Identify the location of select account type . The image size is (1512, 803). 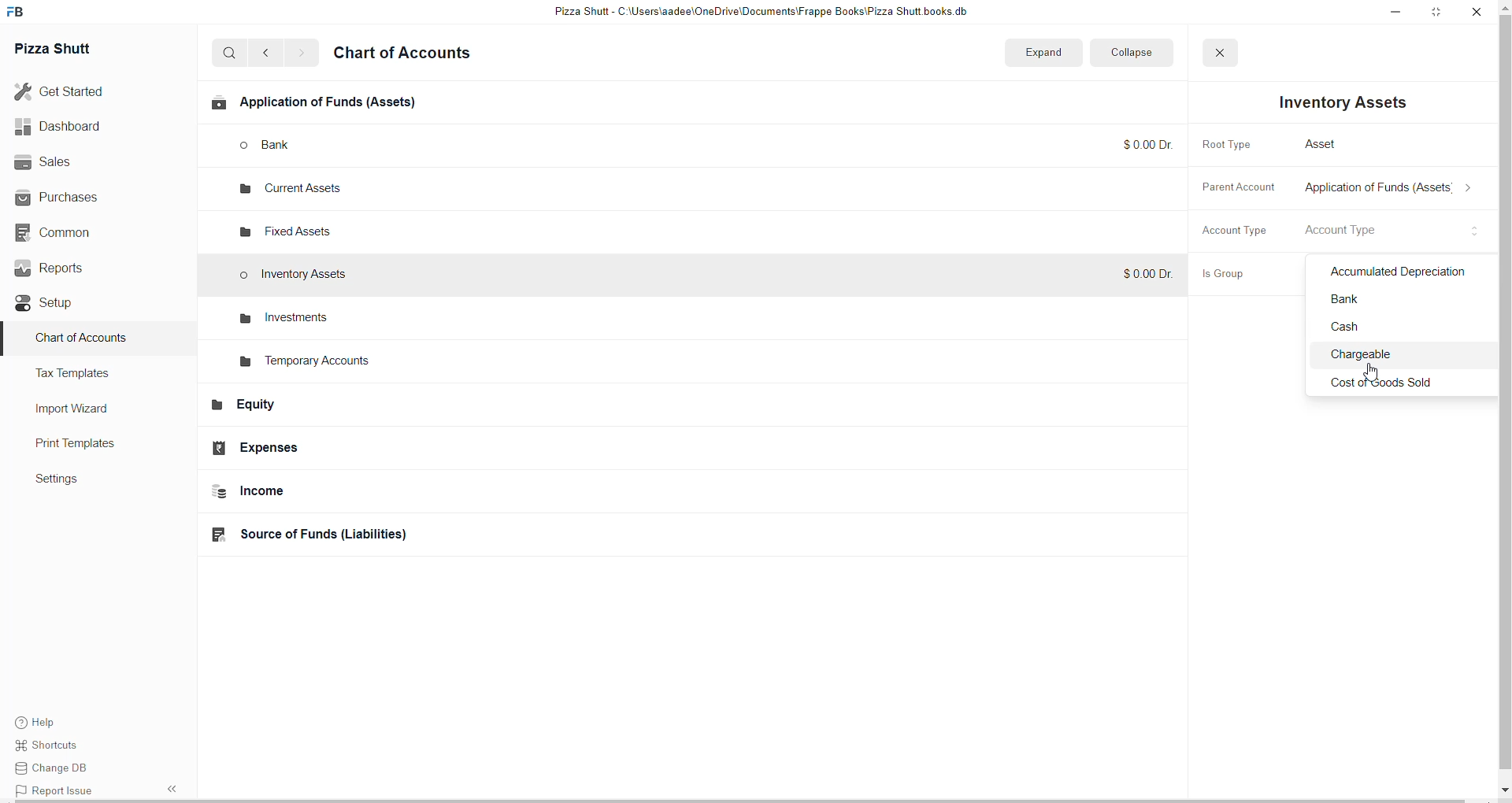
(1350, 231).